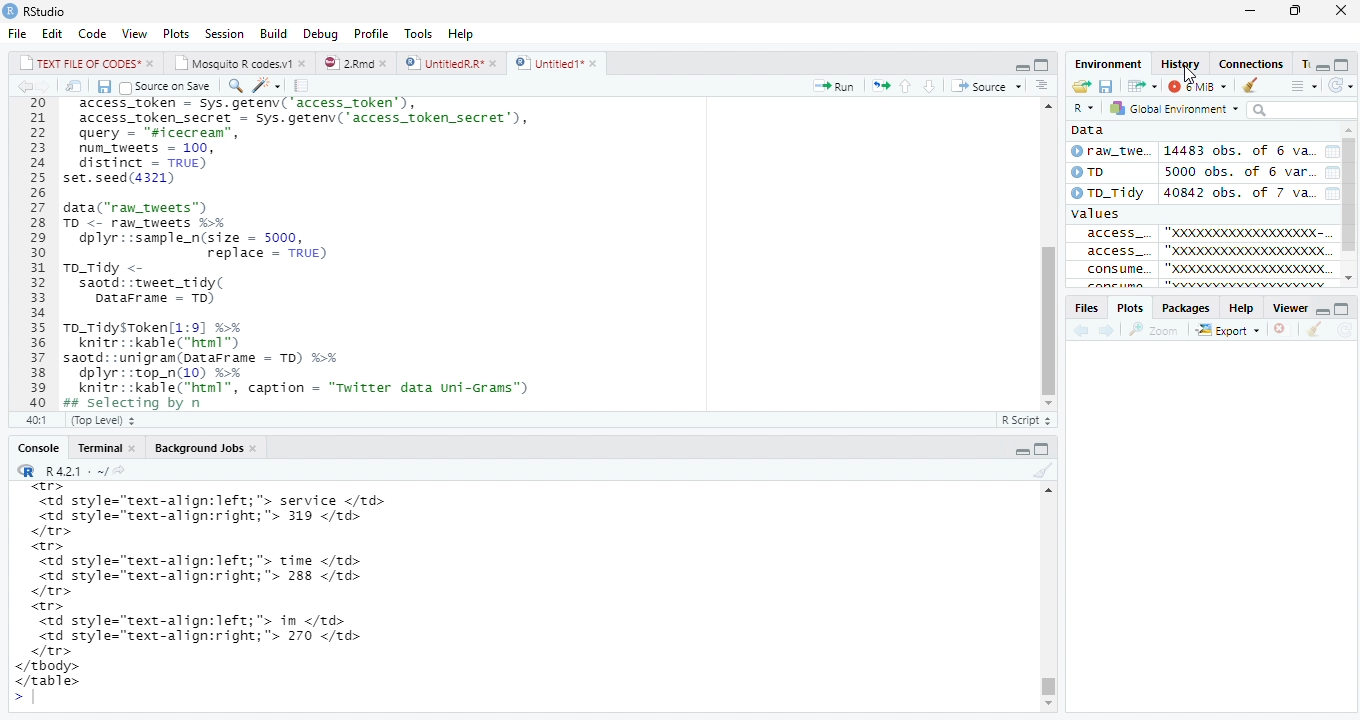 The height and width of the screenshot is (720, 1360). What do you see at coordinates (56, 11) in the screenshot?
I see ` RStudio` at bounding box center [56, 11].